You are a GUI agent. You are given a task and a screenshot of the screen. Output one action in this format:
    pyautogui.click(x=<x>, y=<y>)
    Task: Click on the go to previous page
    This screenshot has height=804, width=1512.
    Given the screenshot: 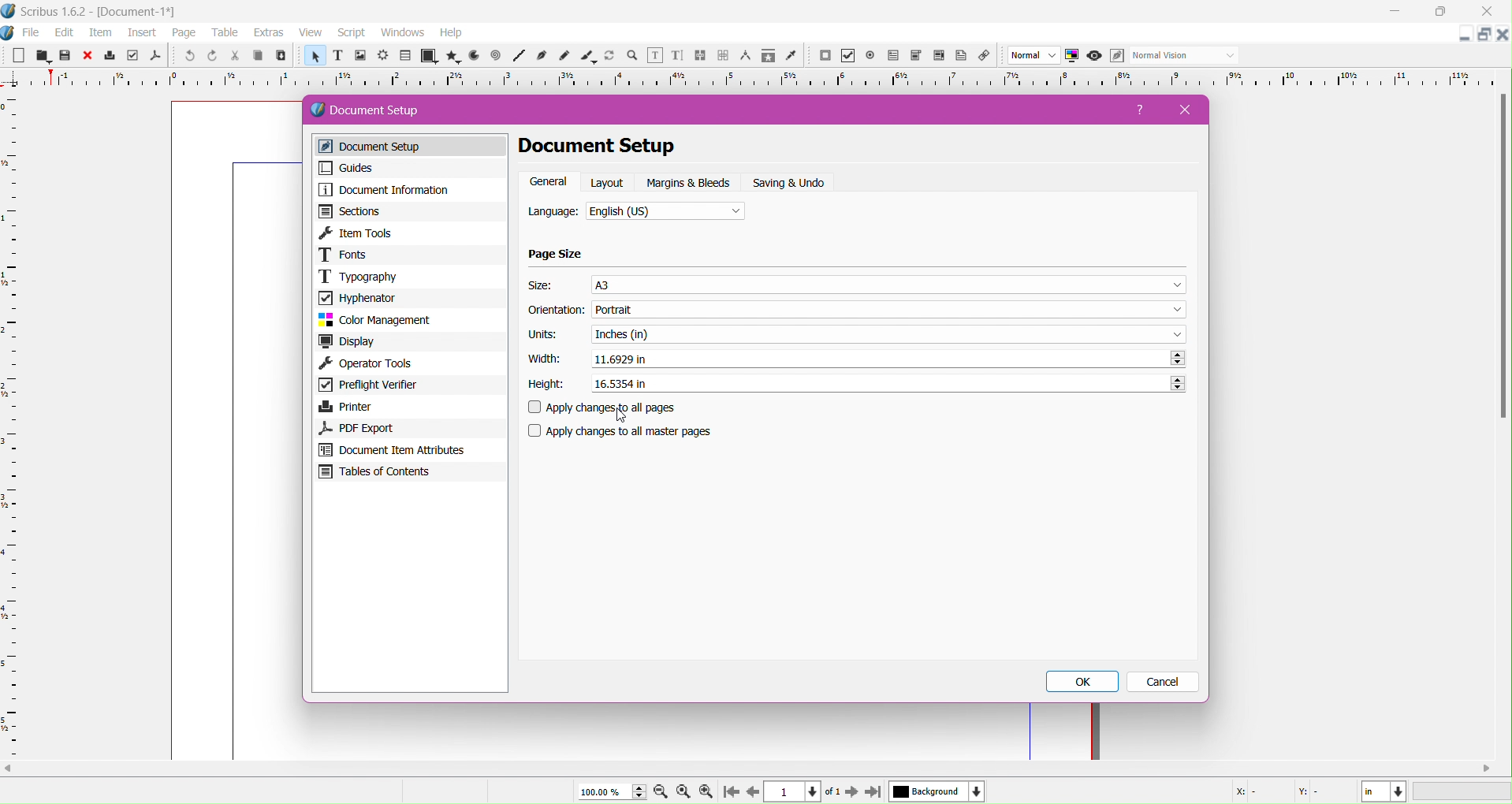 What is the action you would take?
    pyautogui.click(x=753, y=792)
    